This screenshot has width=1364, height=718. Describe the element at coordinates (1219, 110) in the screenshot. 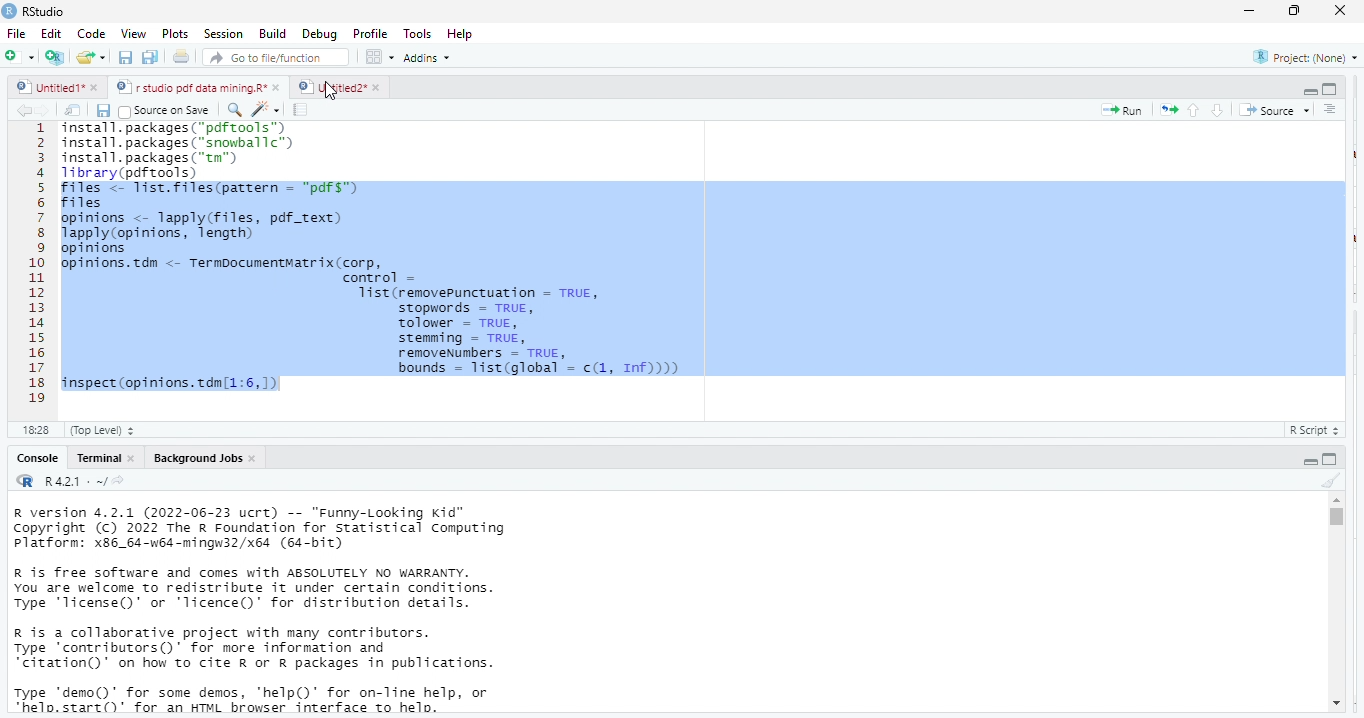

I see `go to next section/chunk` at that location.